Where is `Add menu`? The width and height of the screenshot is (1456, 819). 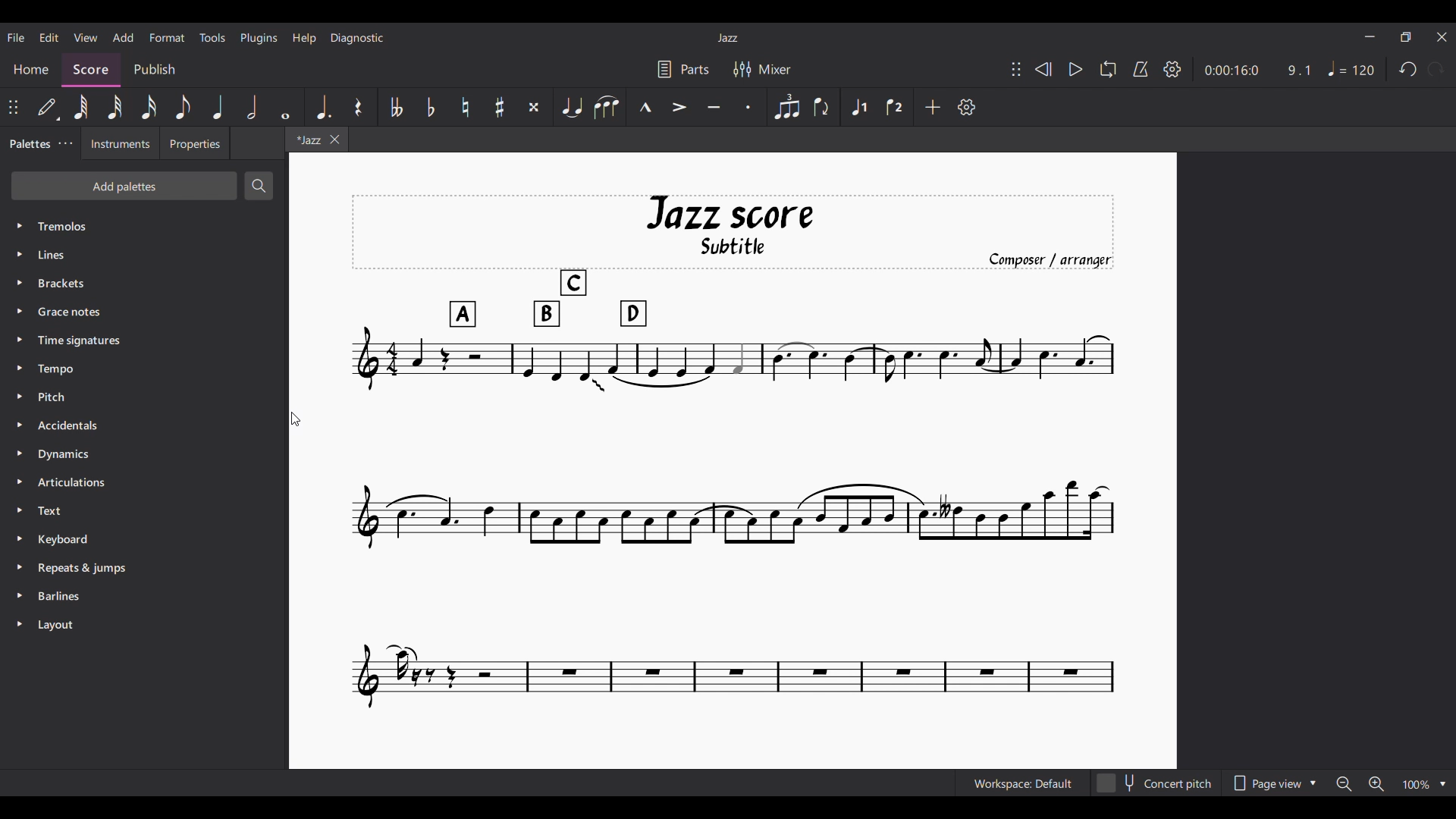
Add menu is located at coordinates (123, 37).